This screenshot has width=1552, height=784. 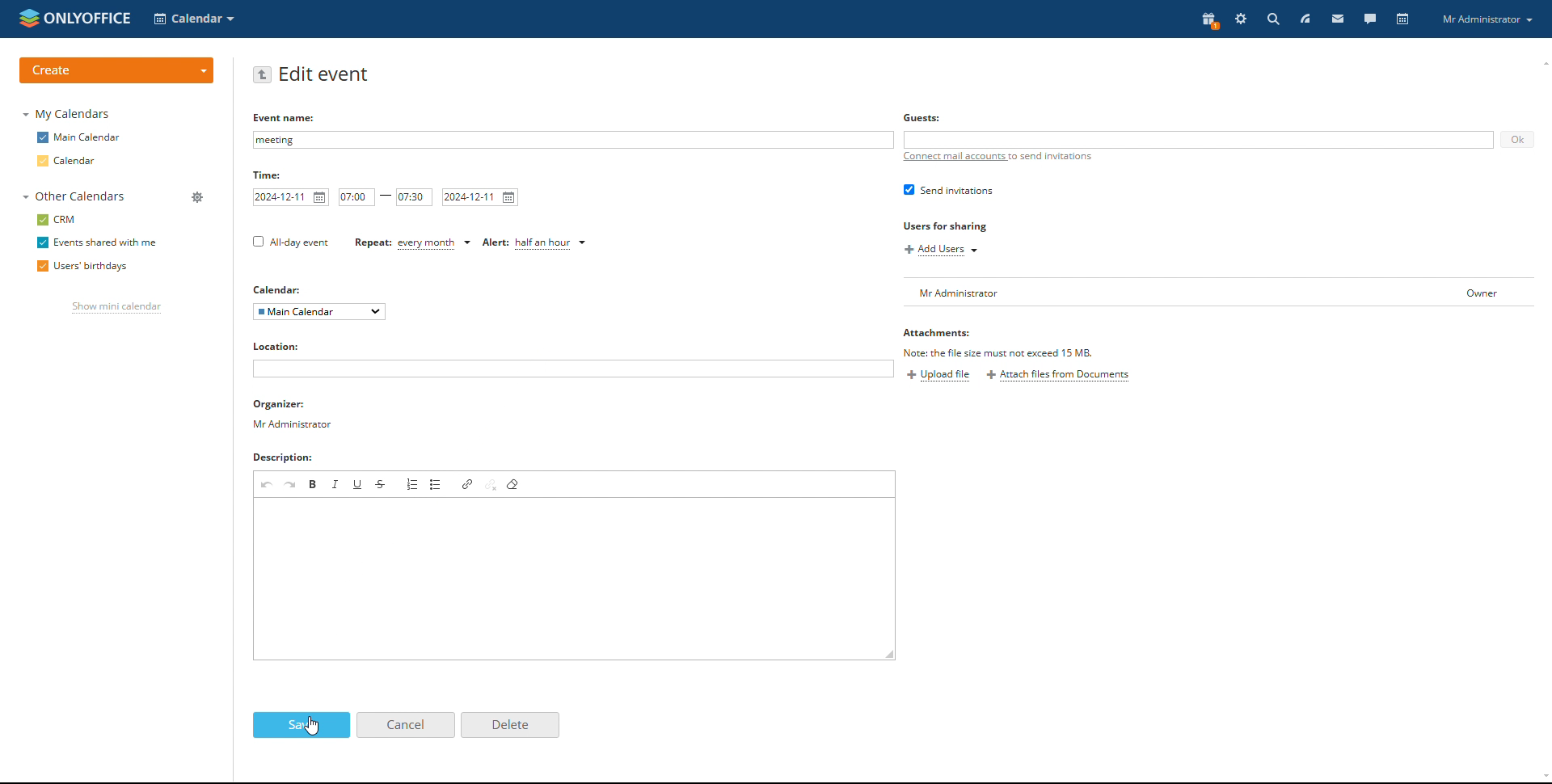 I want to click on select application, so click(x=195, y=19).